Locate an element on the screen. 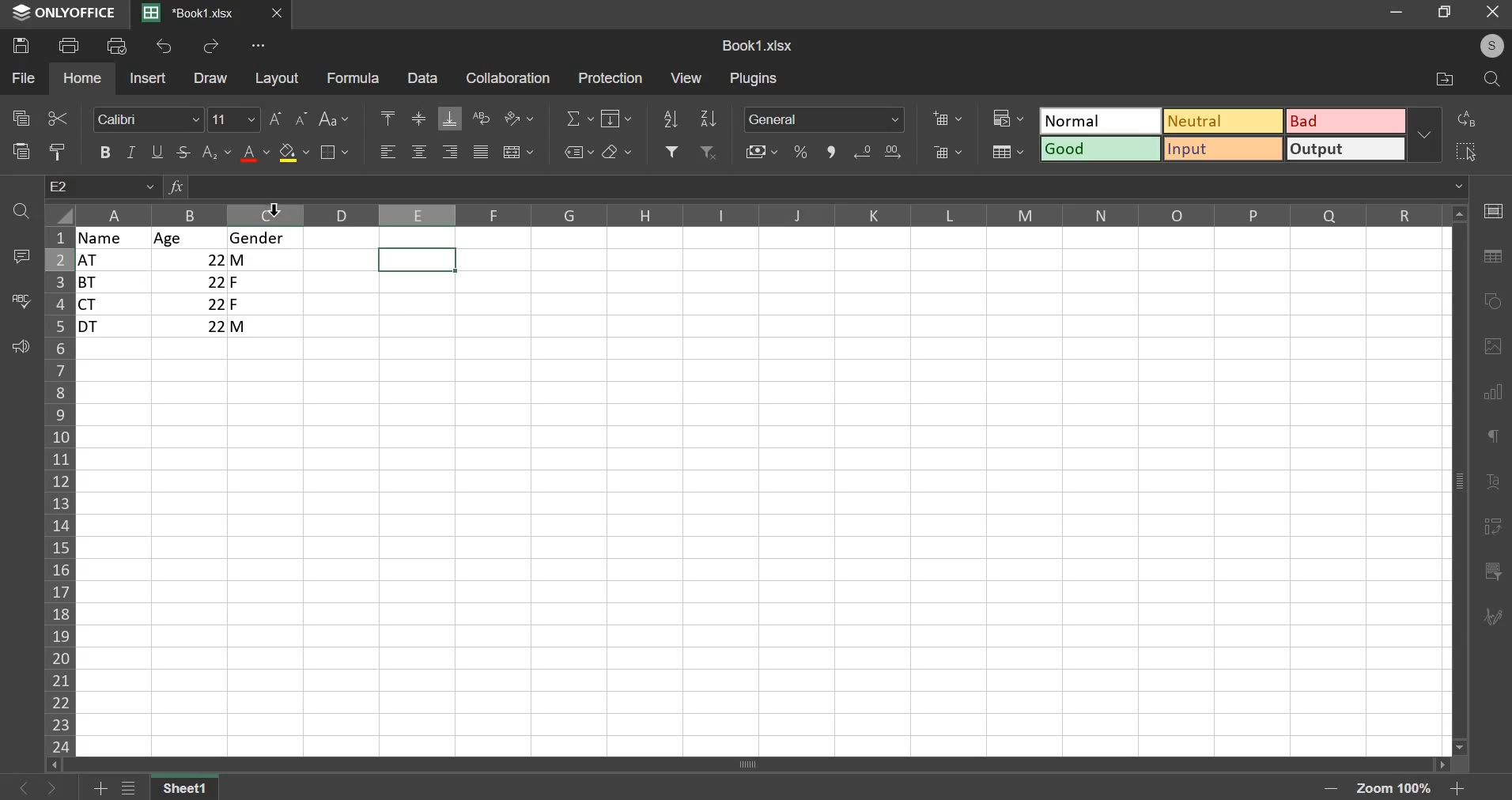 The width and height of the screenshot is (1512, 800). increase decimal is located at coordinates (891, 151).